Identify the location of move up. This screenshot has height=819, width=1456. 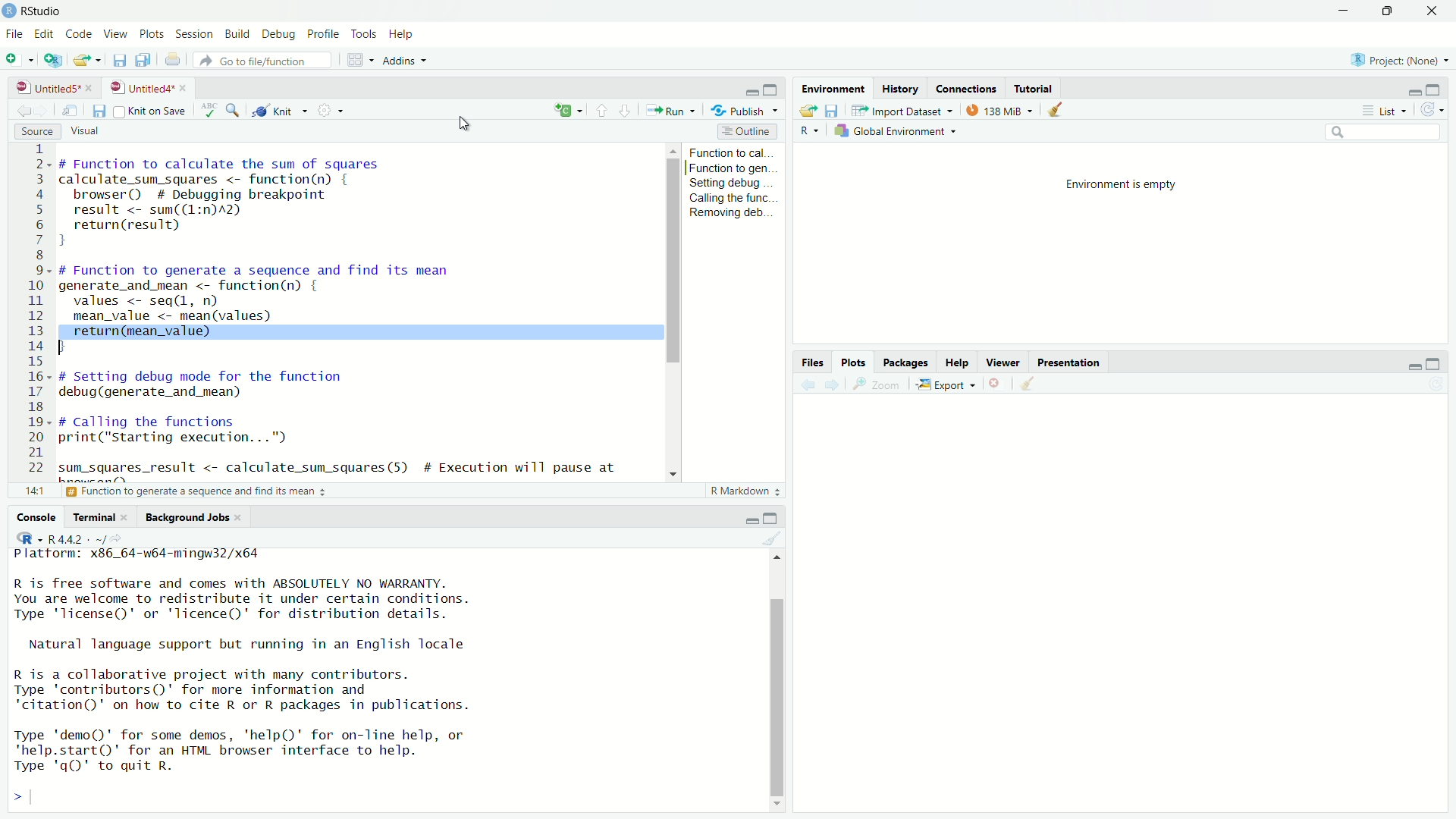
(671, 149).